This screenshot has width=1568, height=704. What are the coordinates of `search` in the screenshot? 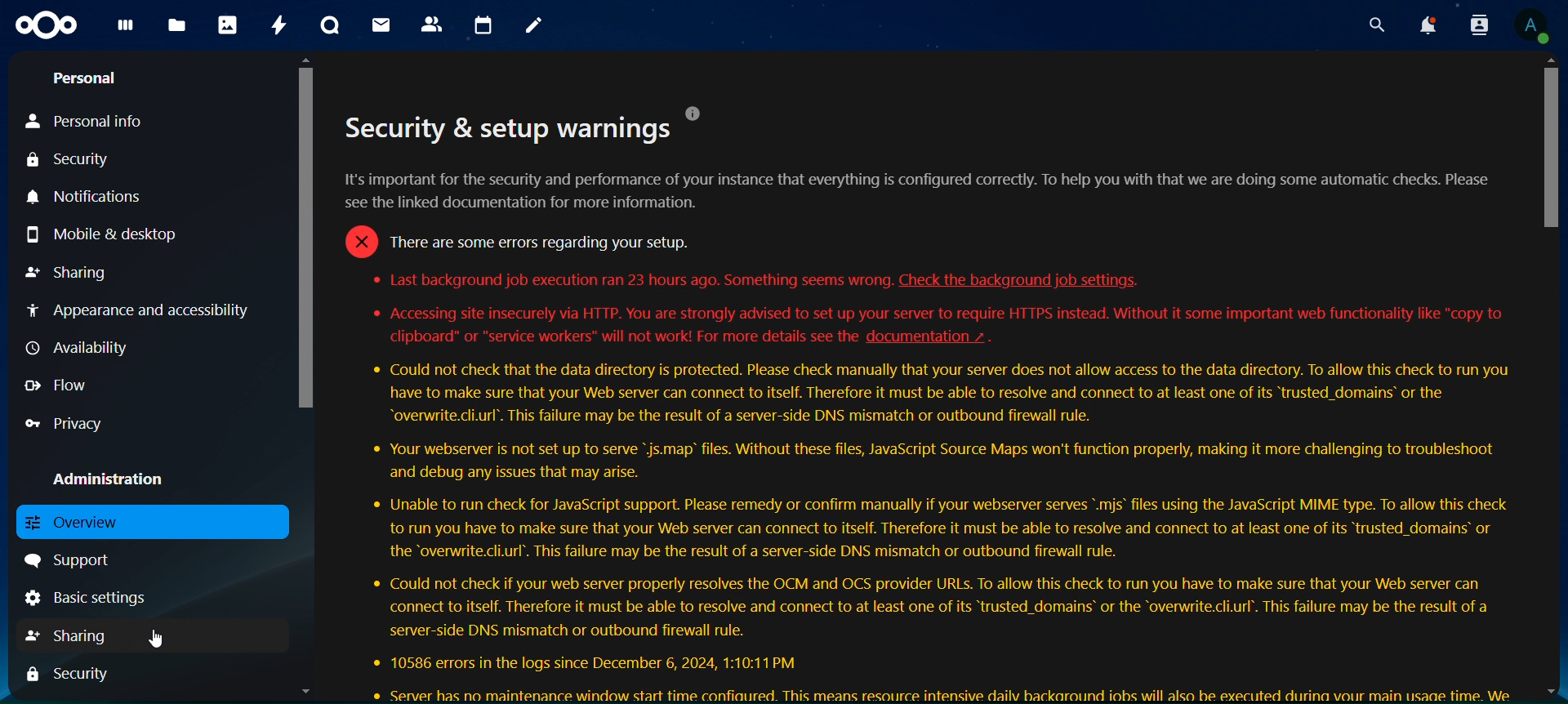 It's located at (1374, 22).